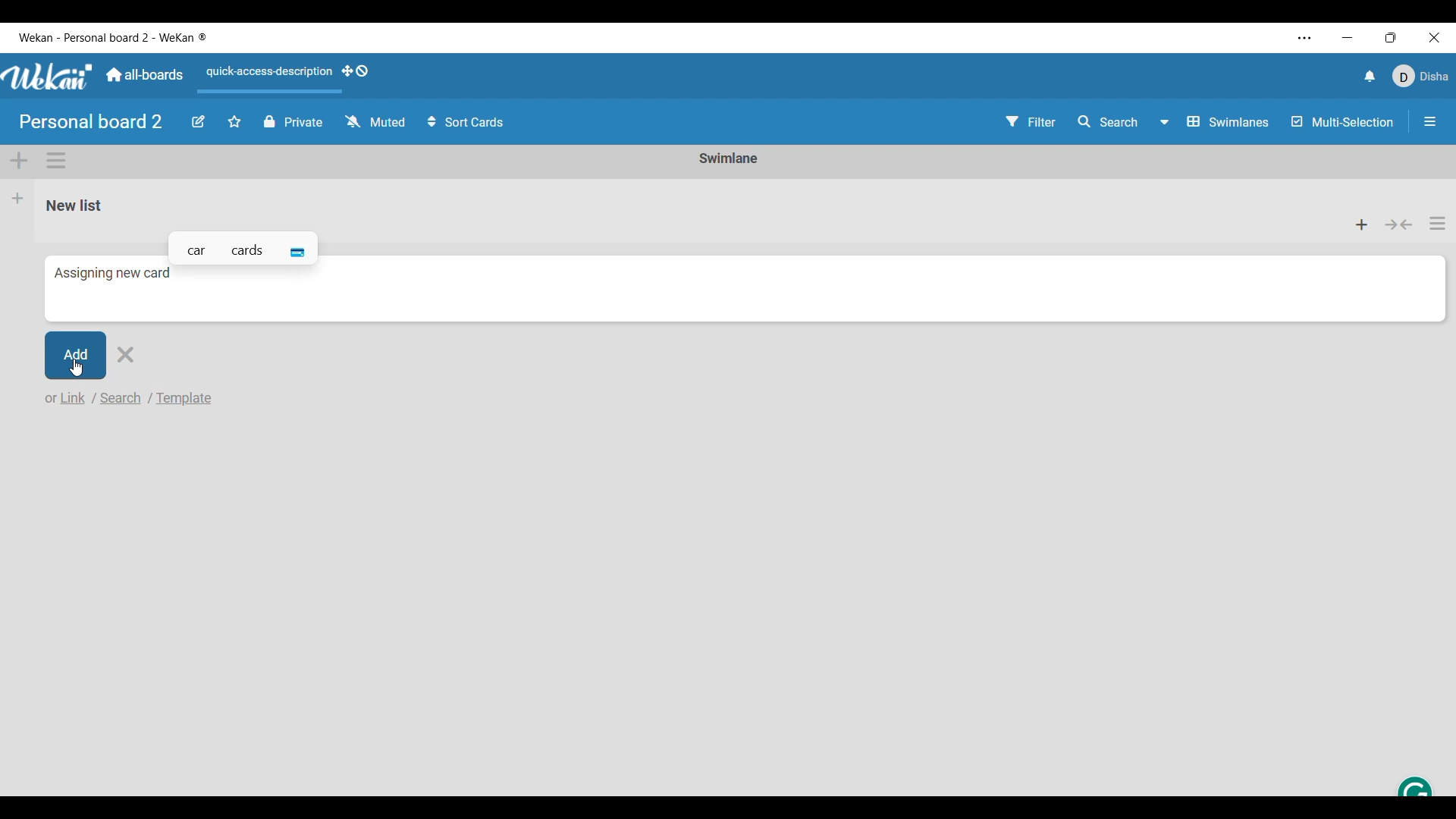  Describe the element at coordinates (92, 121) in the screenshot. I see `Board title` at that location.